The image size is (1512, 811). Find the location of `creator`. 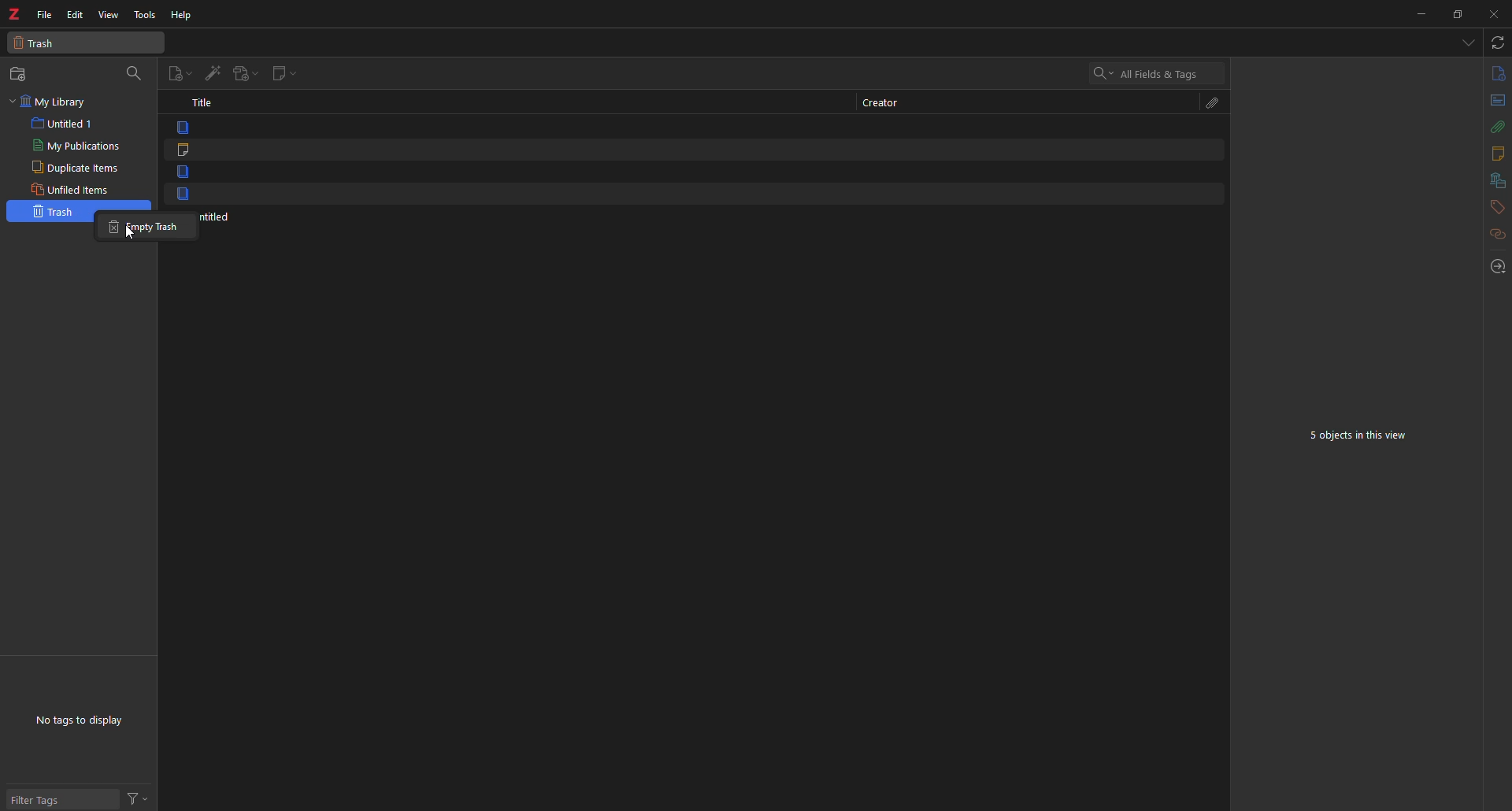

creator is located at coordinates (891, 103).